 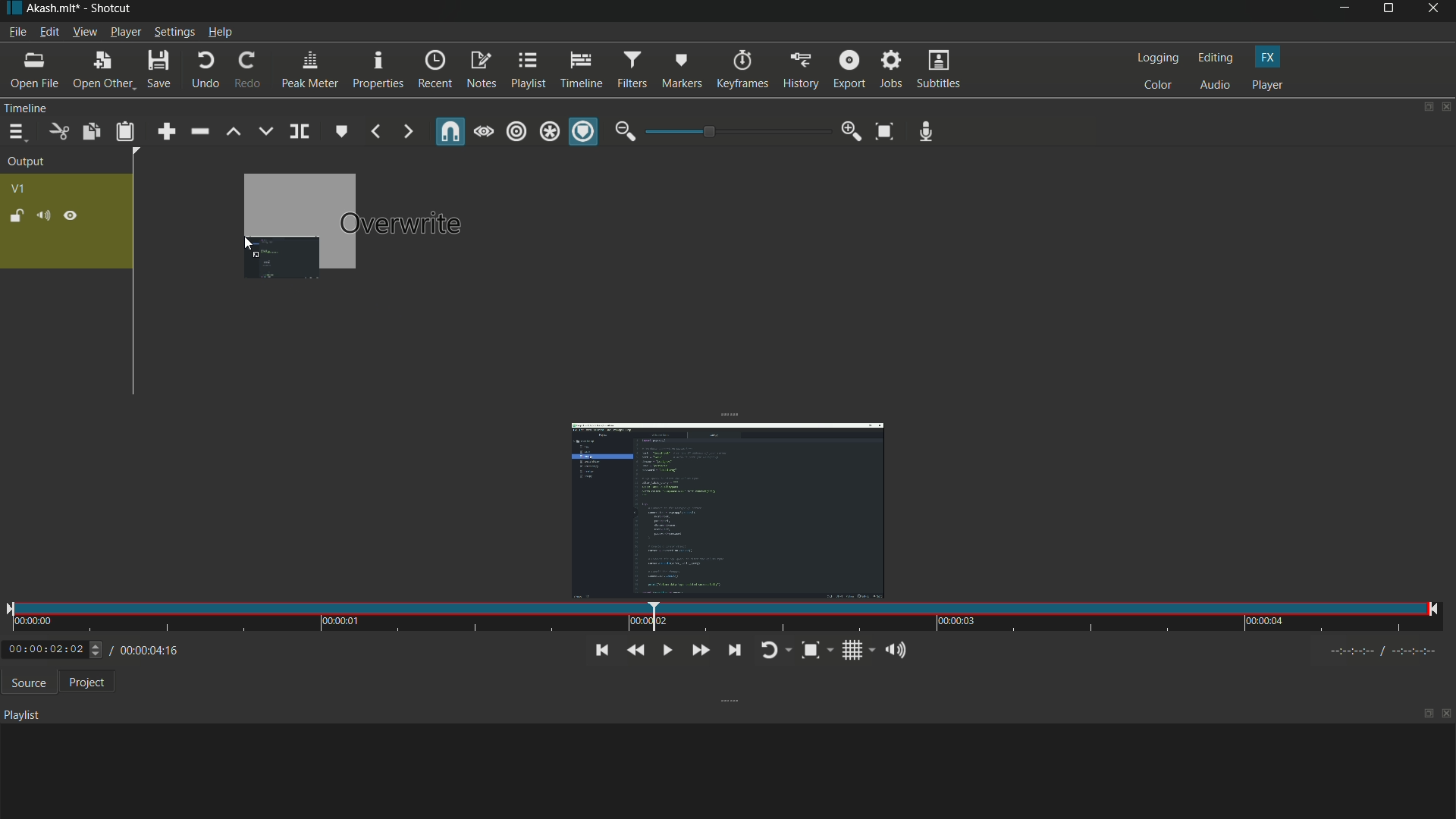 What do you see at coordinates (800, 71) in the screenshot?
I see `history` at bounding box center [800, 71].